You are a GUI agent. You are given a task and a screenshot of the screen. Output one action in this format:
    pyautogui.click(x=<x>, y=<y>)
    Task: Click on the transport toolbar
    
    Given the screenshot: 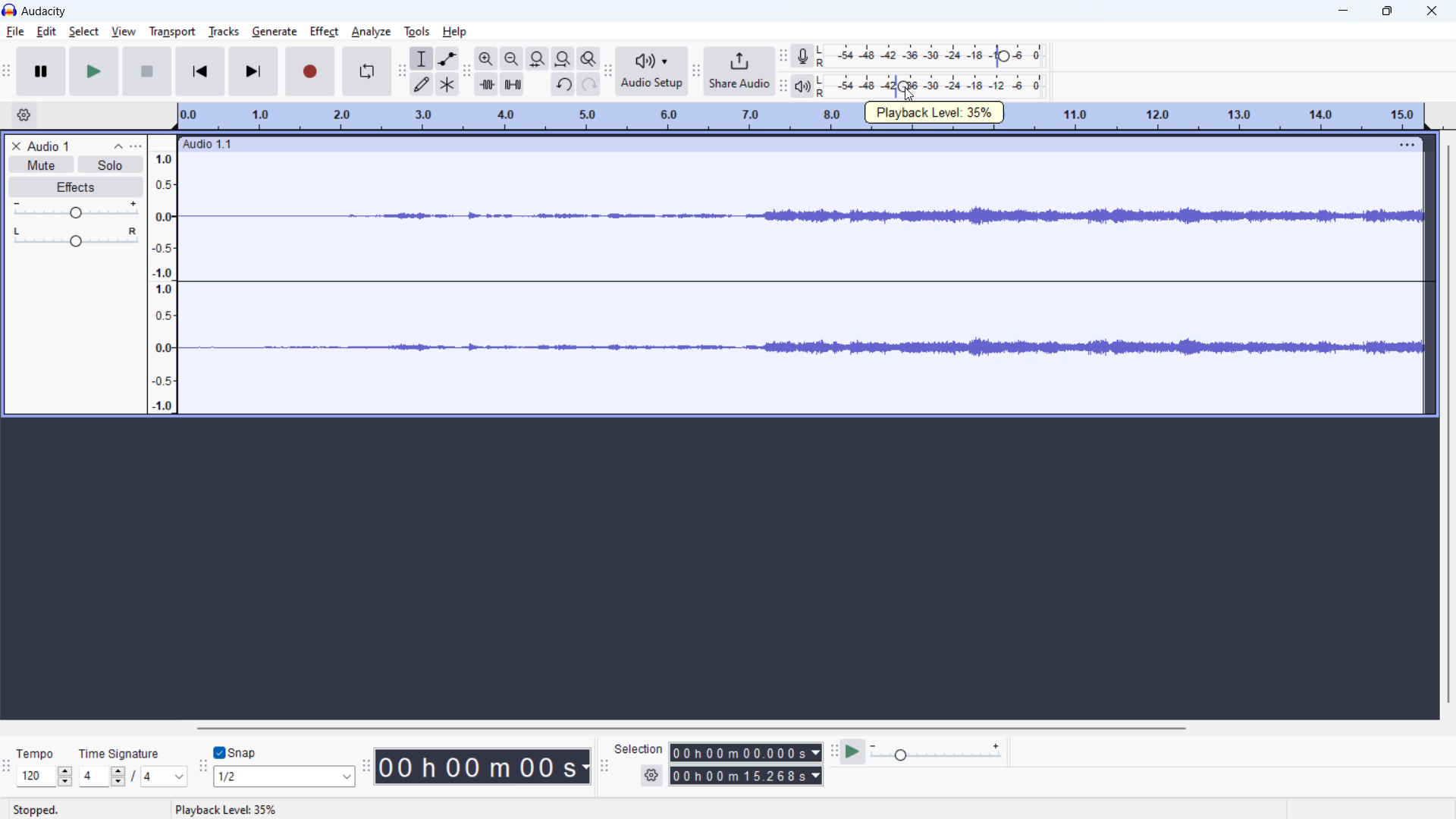 What is the action you would take?
    pyautogui.click(x=6, y=70)
    